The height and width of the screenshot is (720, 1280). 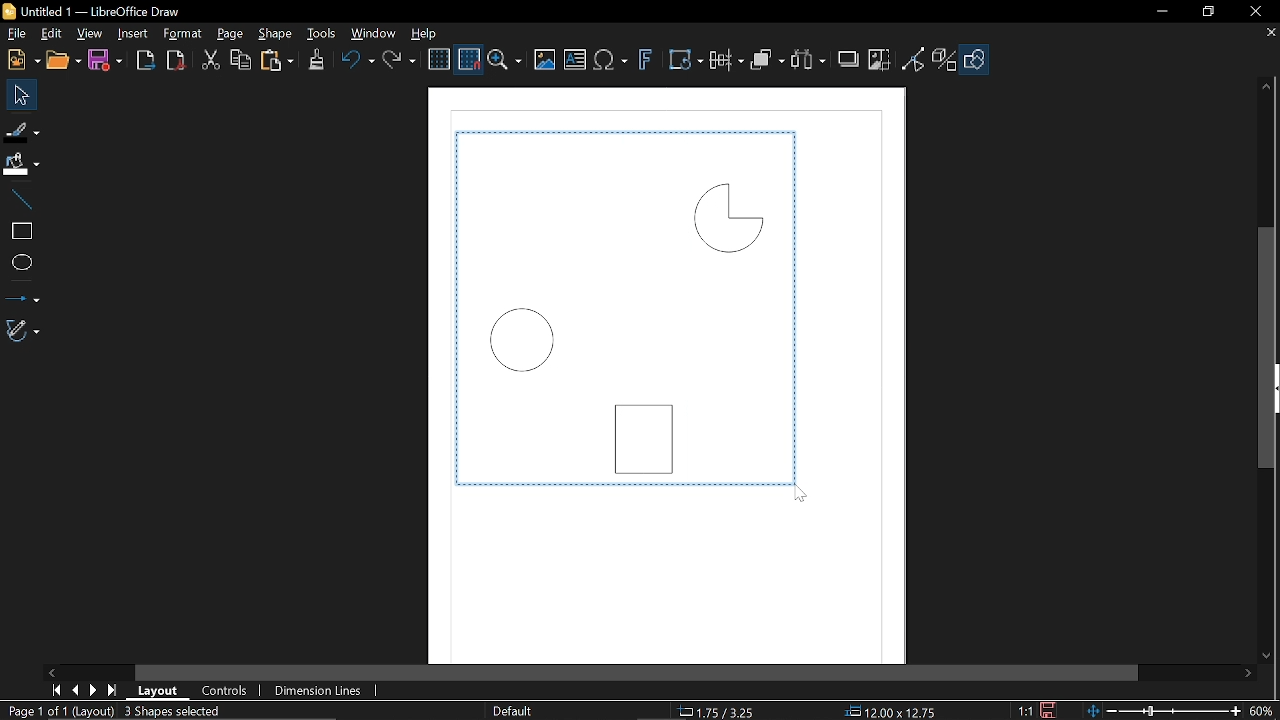 What do you see at coordinates (22, 332) in the screenshot?
I see `Curves and polygon` at bounding box center [22, 332].